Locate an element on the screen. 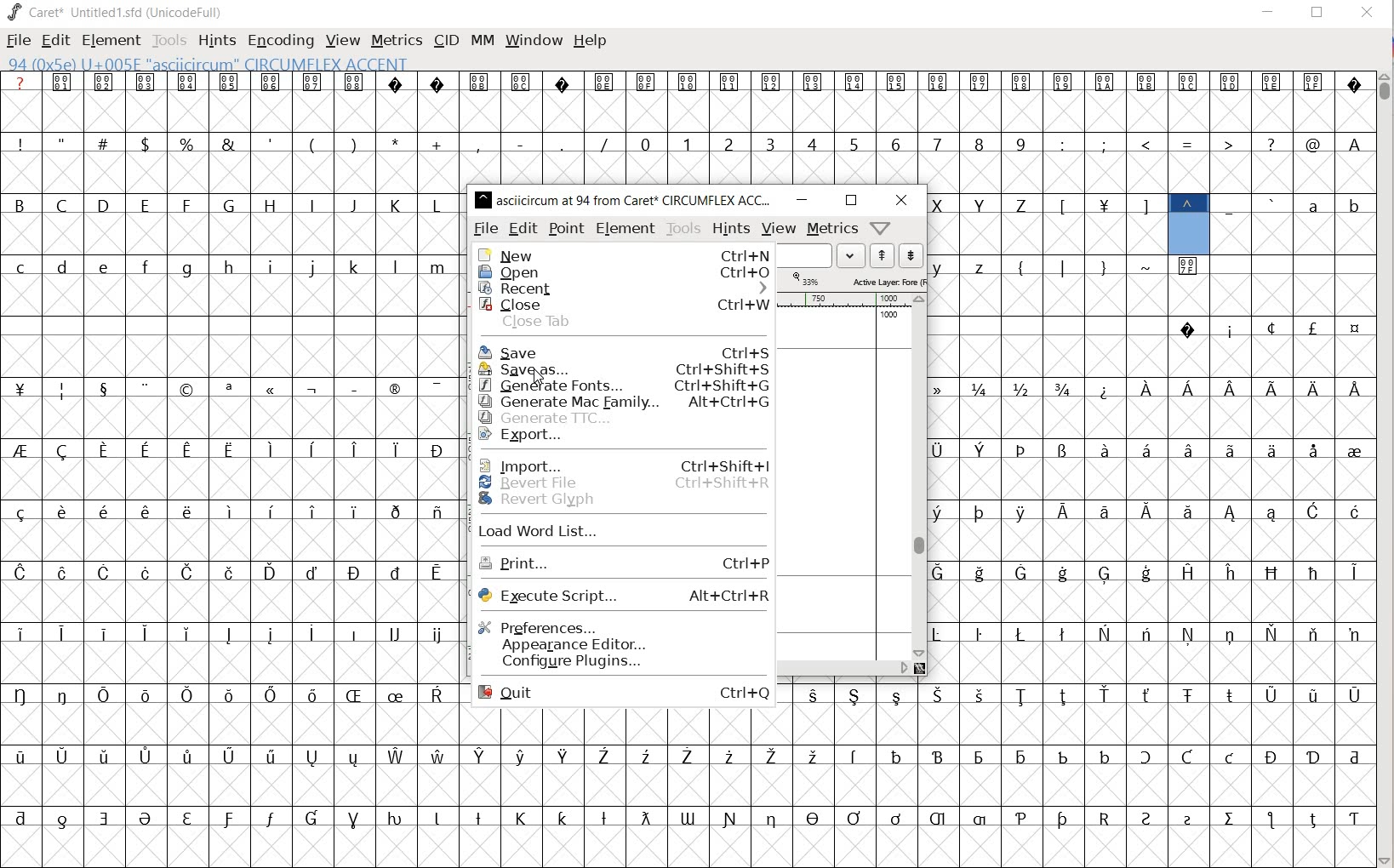  open is located at coordinates (628, 273).